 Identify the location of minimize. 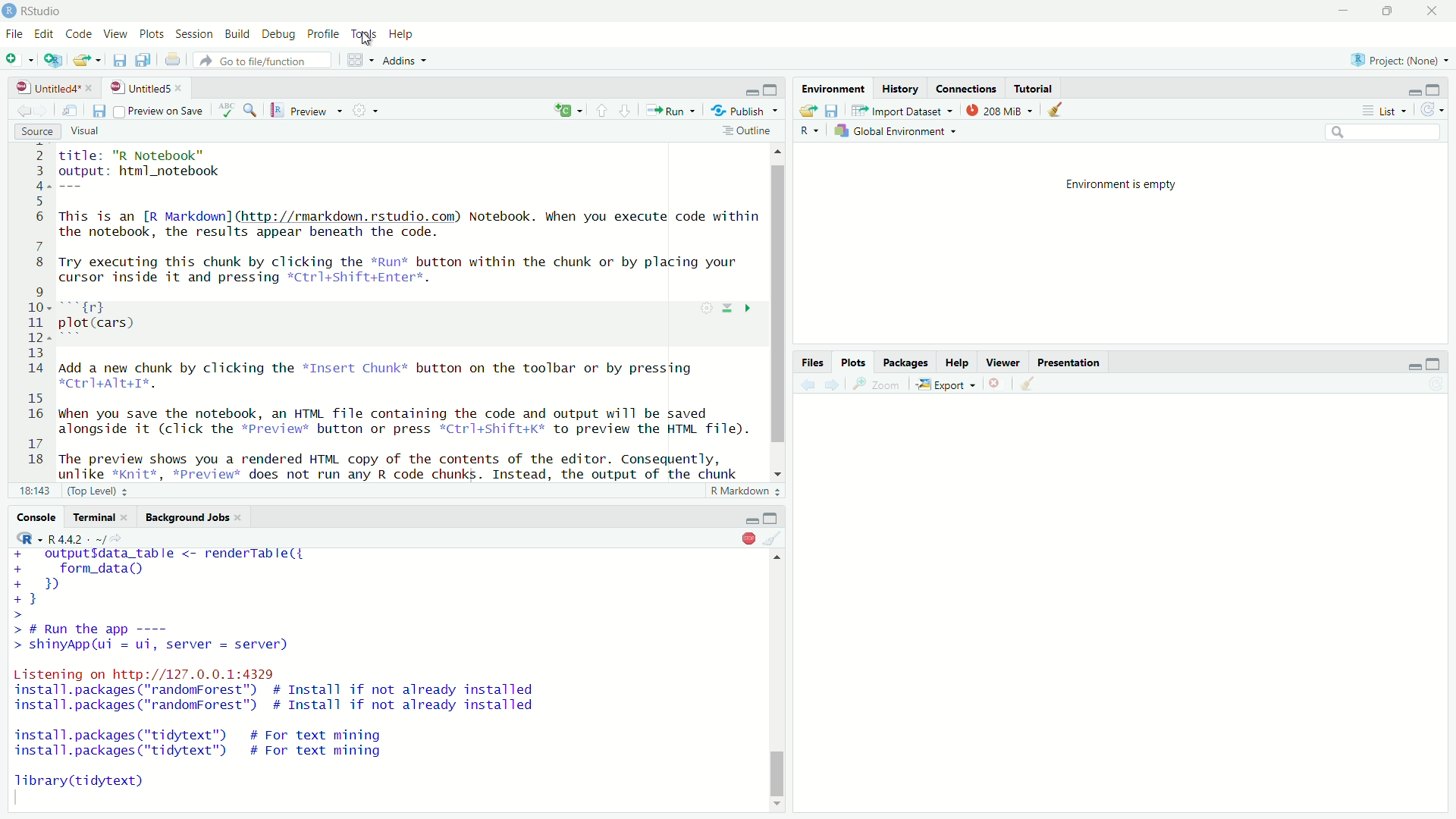
(750, 520).